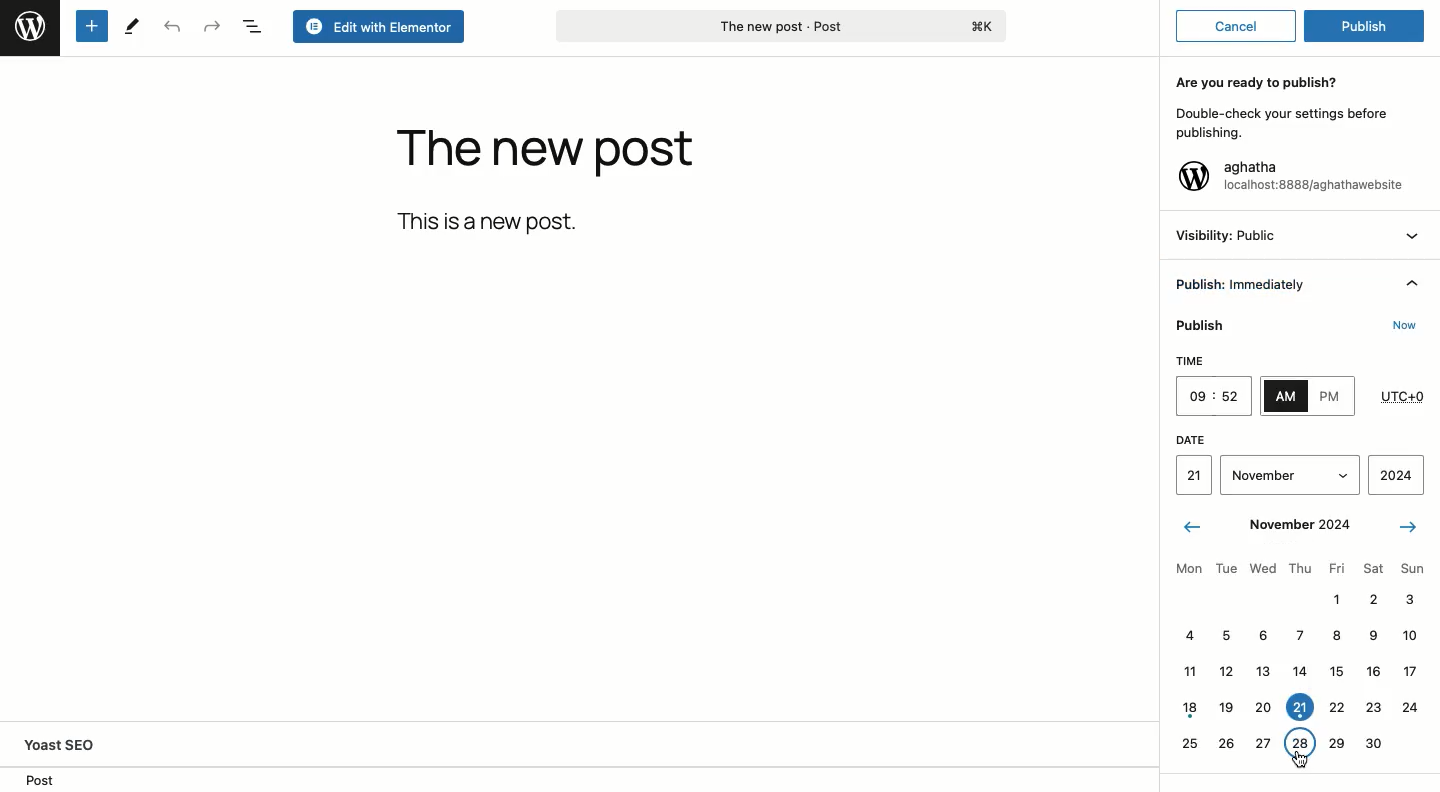  I want to click on , so click(1370, 634).